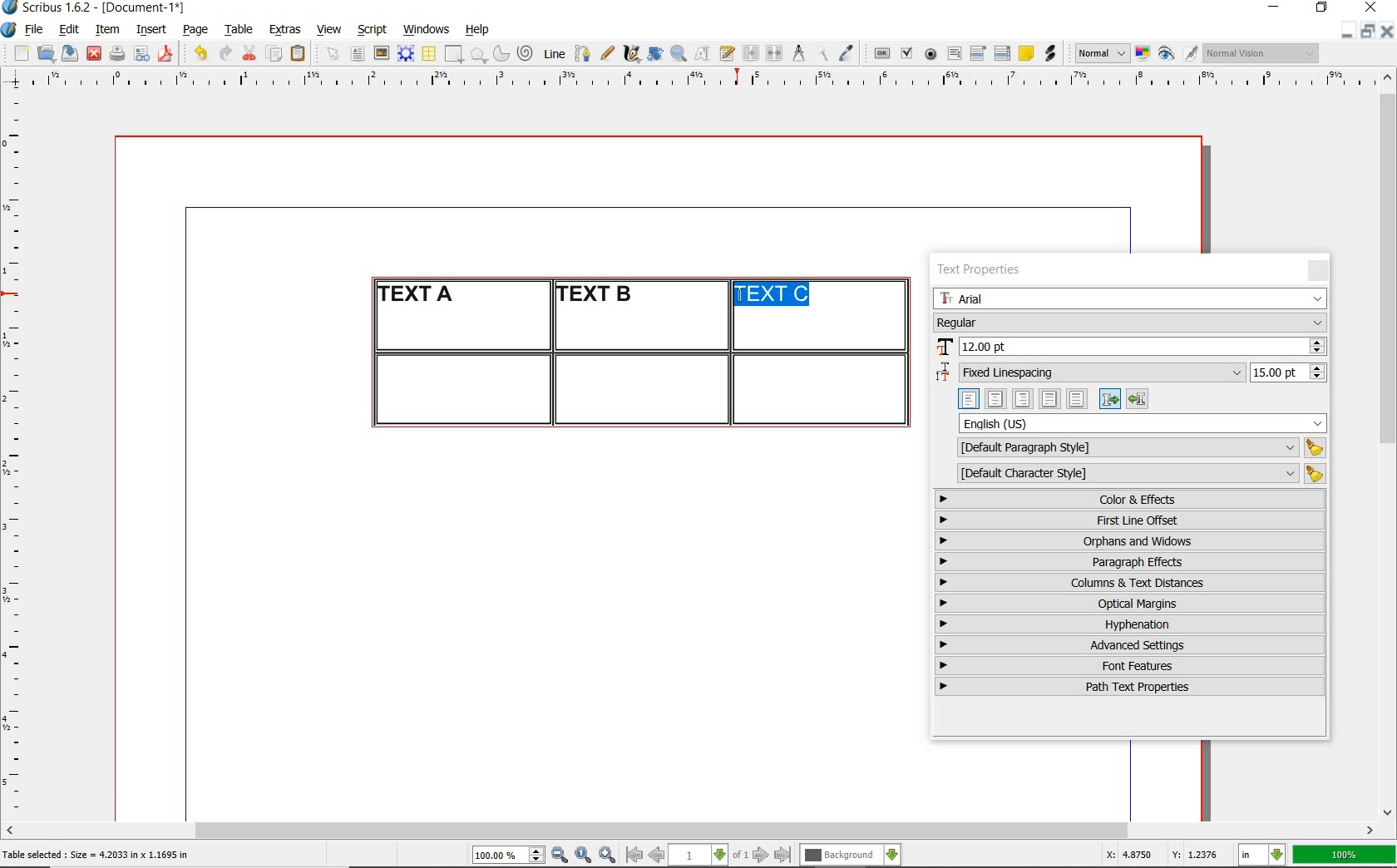 This screenshot has width=1397, height=868. What do you see at coordinates (142, 55) in the screenshot?
I see `preflight verifier` at bounding box center [142, 55].